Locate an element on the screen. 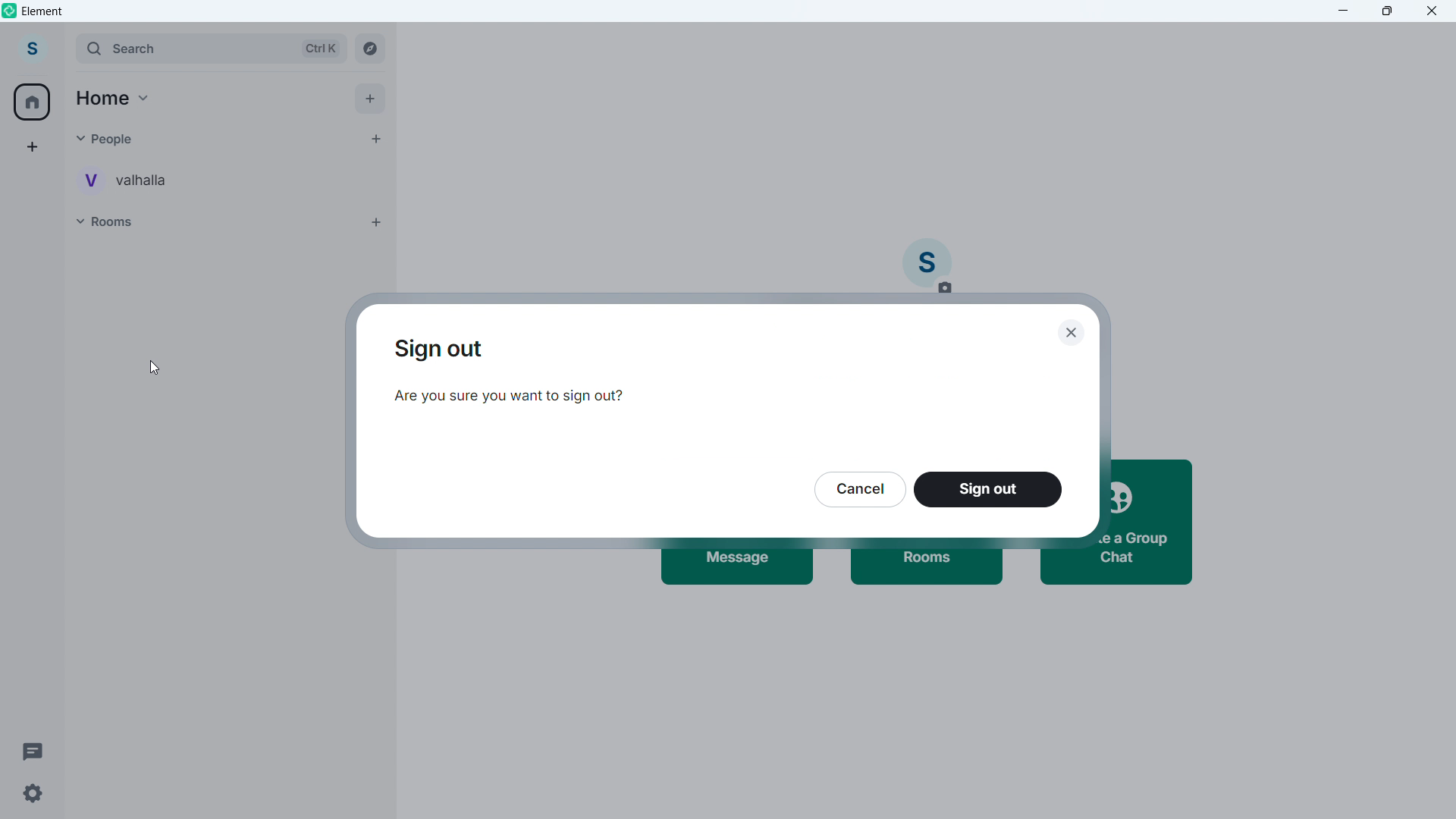  minimize is located at coordinates (1344, 11).